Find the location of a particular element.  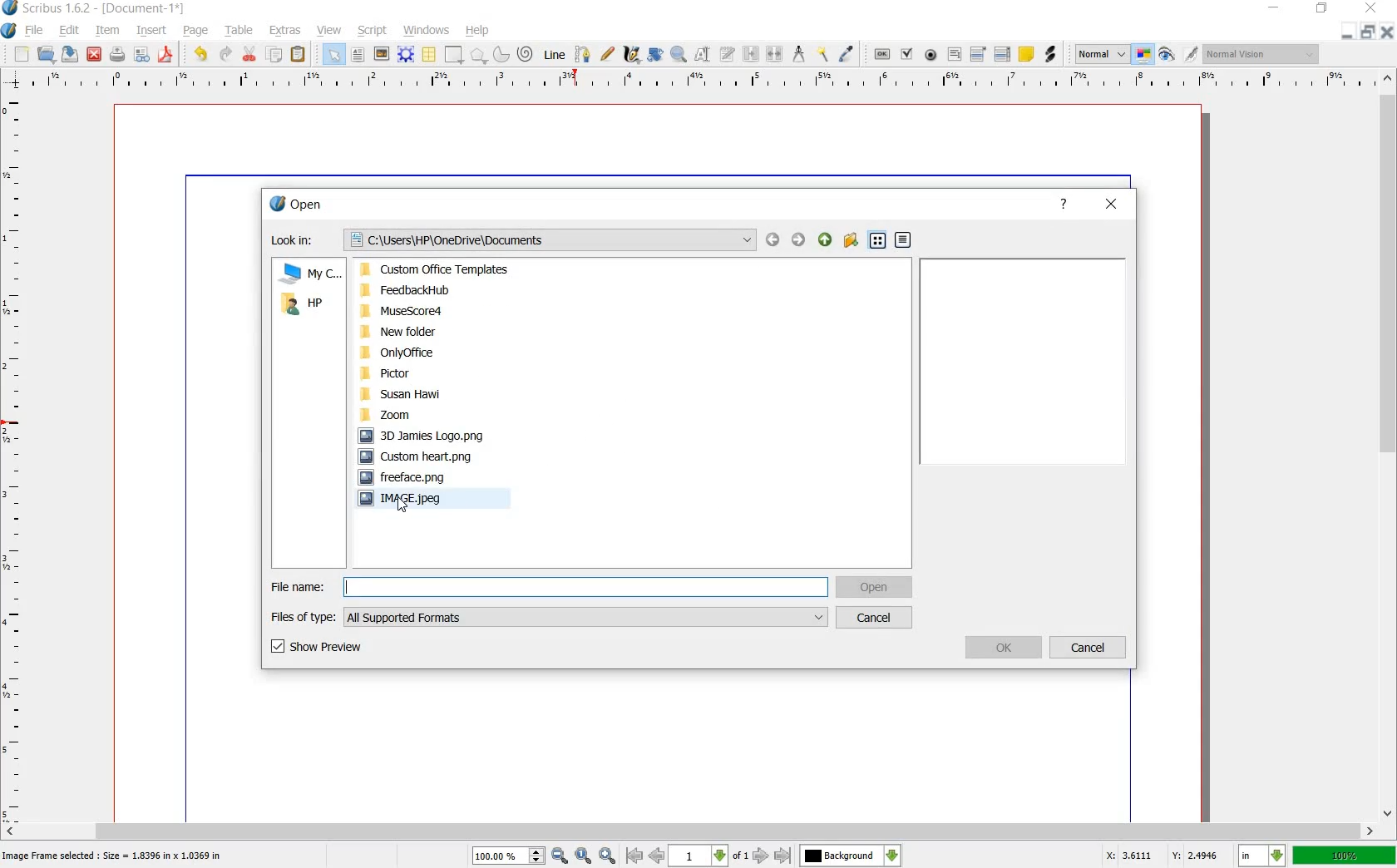

edit contents of frame is located at coordinates (702, 56).